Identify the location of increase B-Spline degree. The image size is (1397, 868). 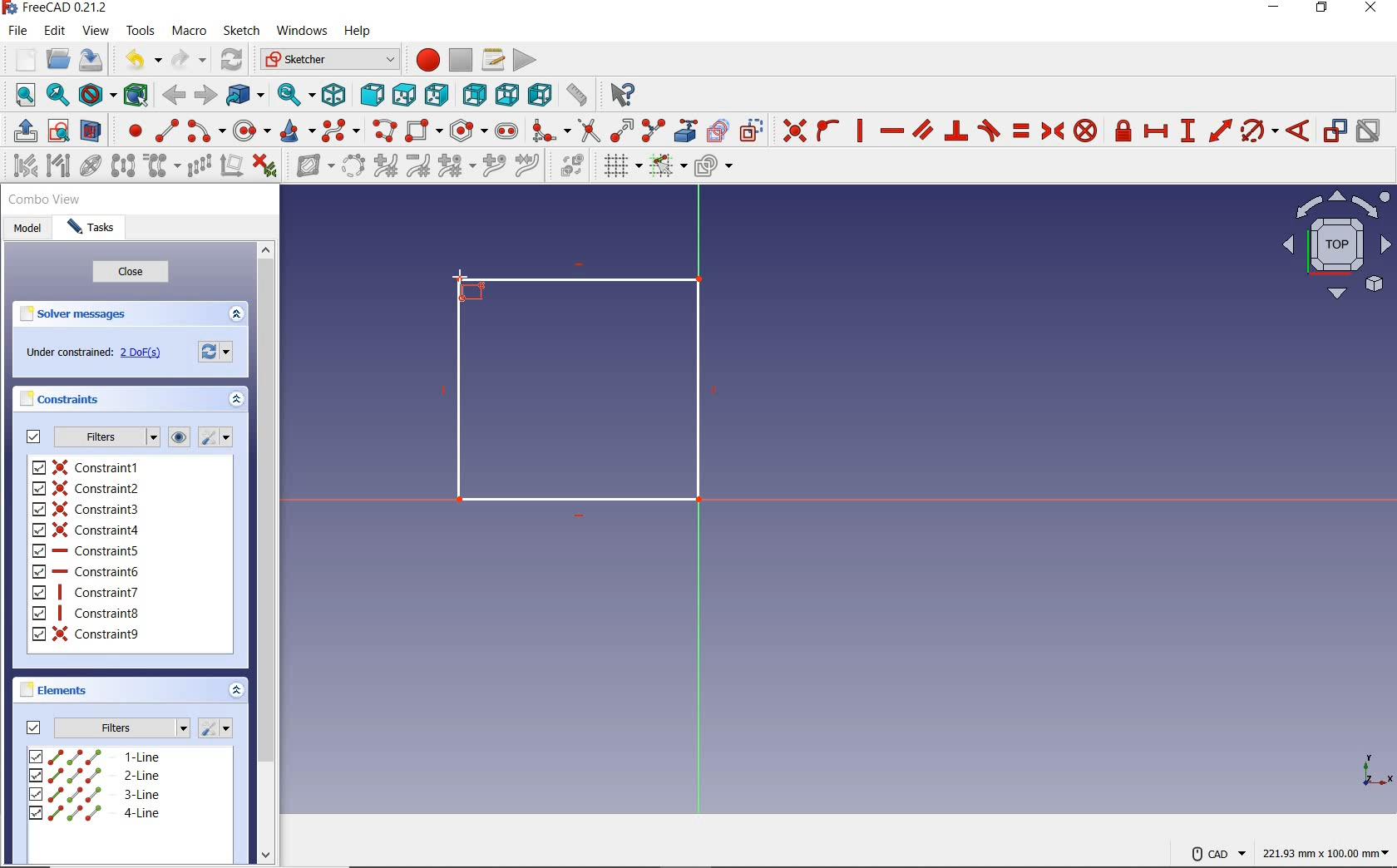
(491, 167).